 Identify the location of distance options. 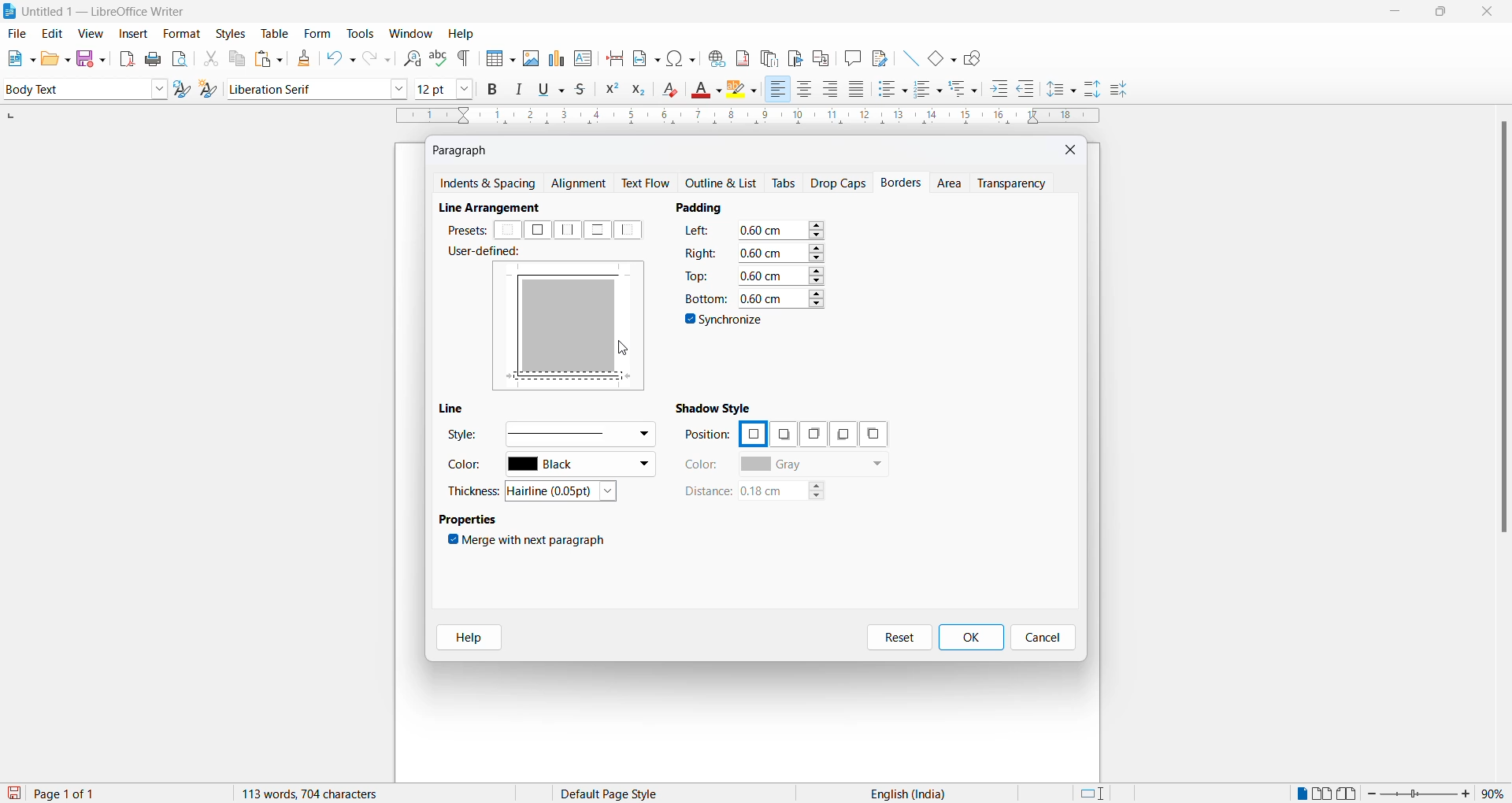
(790, 494).